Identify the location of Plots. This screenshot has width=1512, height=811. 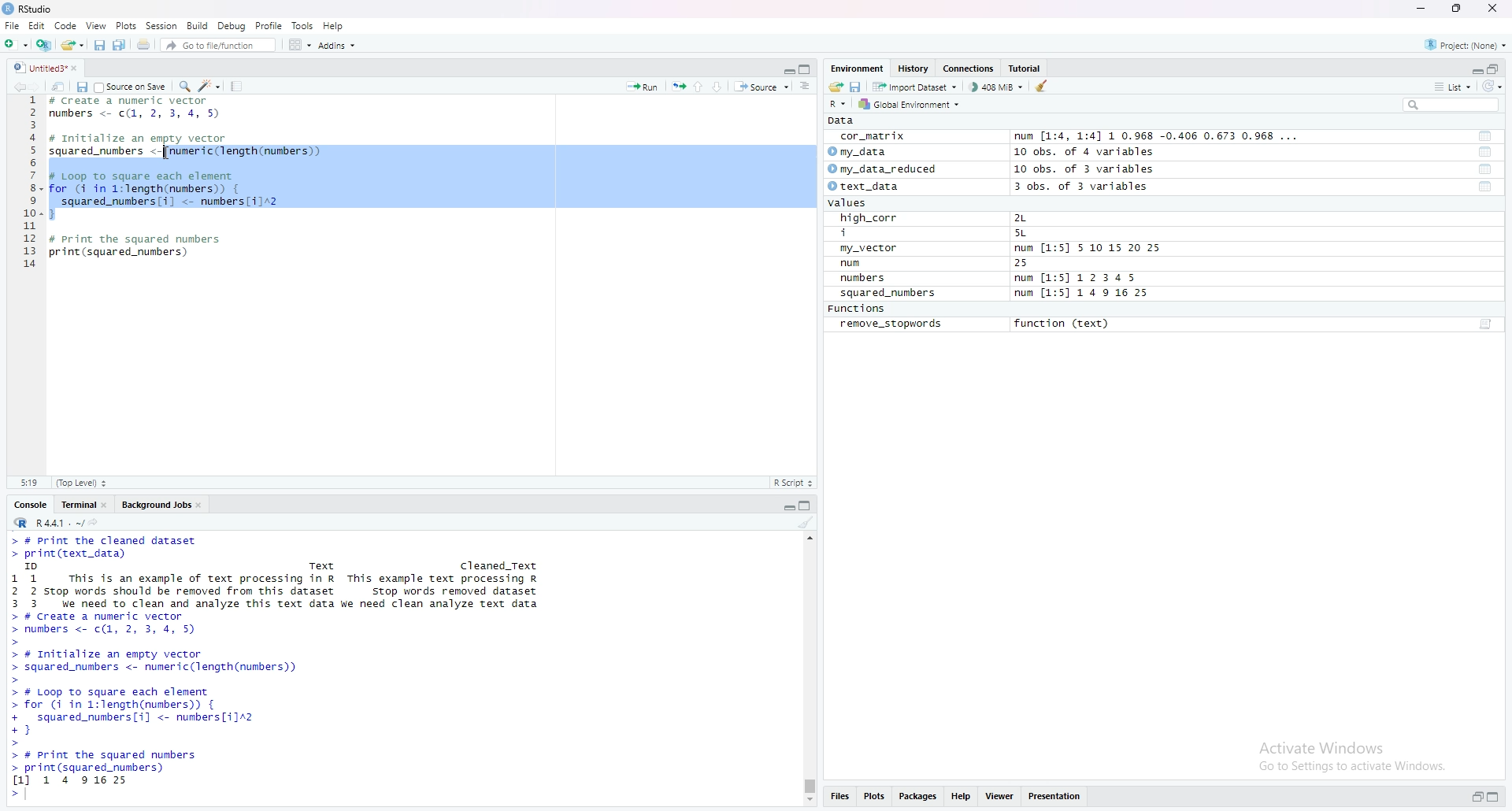
(874, 798).